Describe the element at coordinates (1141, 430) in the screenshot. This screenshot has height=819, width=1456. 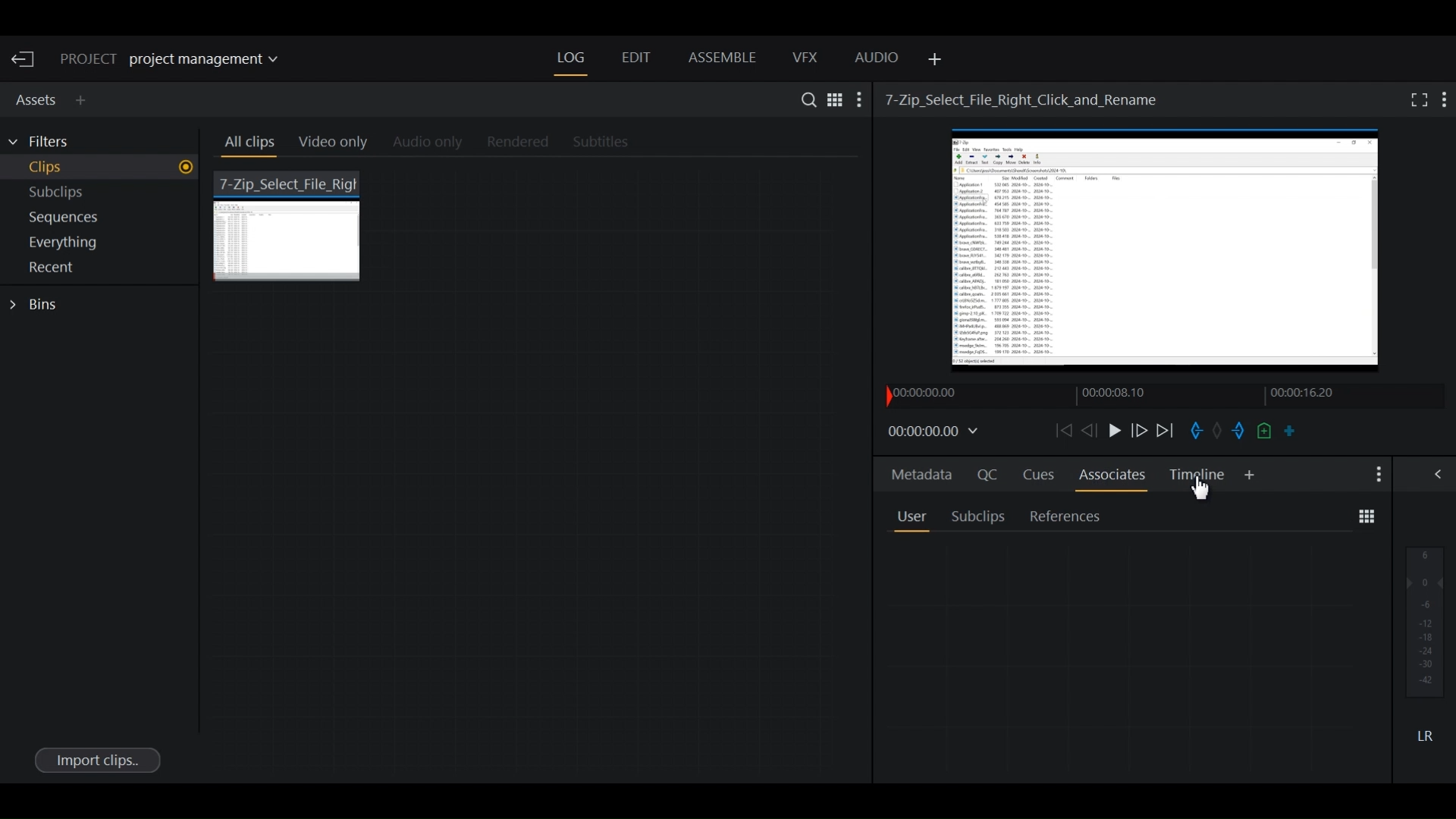
I see `Nudge frame forward` at that location.